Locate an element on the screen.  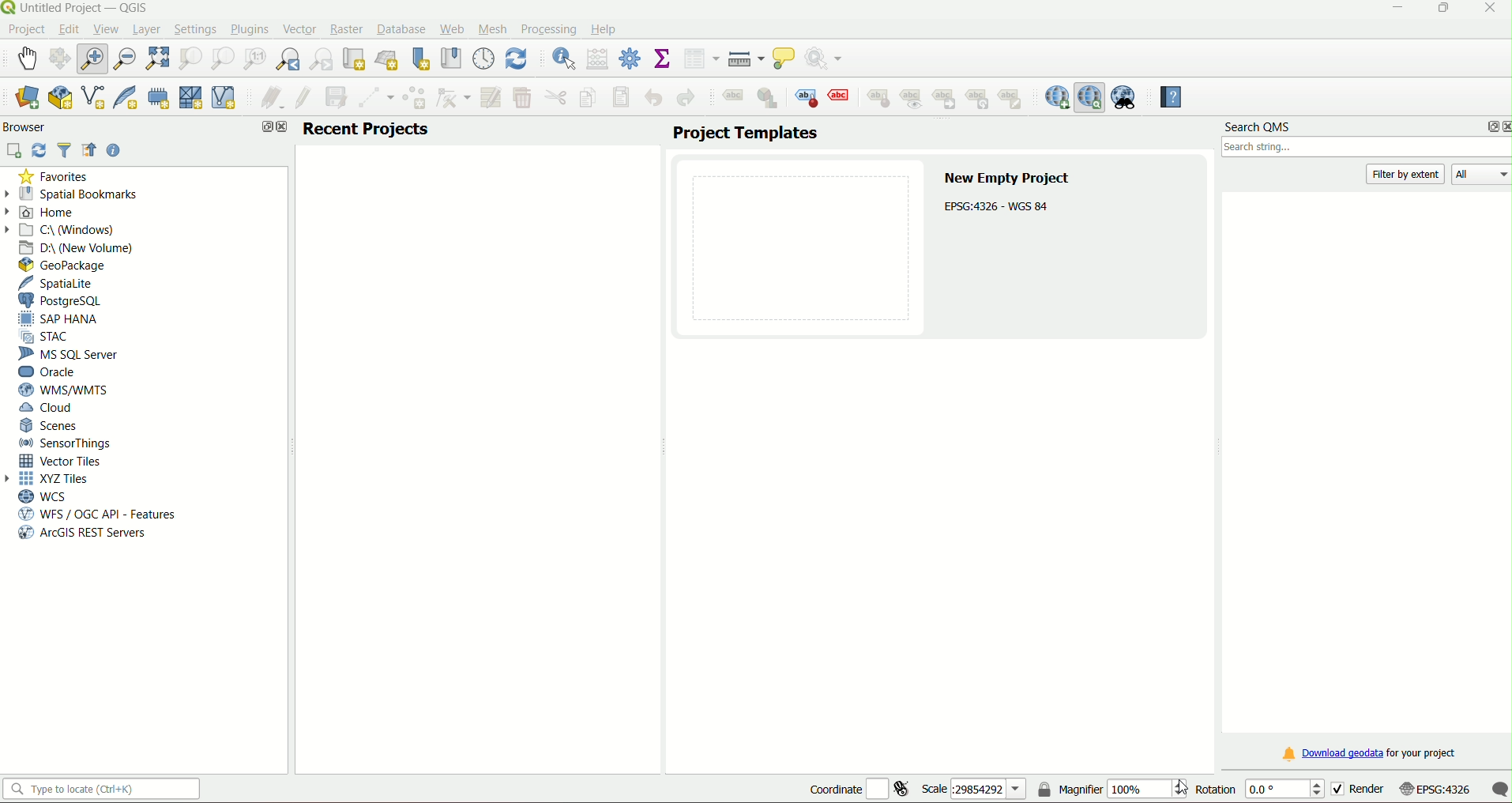
Vector Tiles is located at coordinates (65, 461).